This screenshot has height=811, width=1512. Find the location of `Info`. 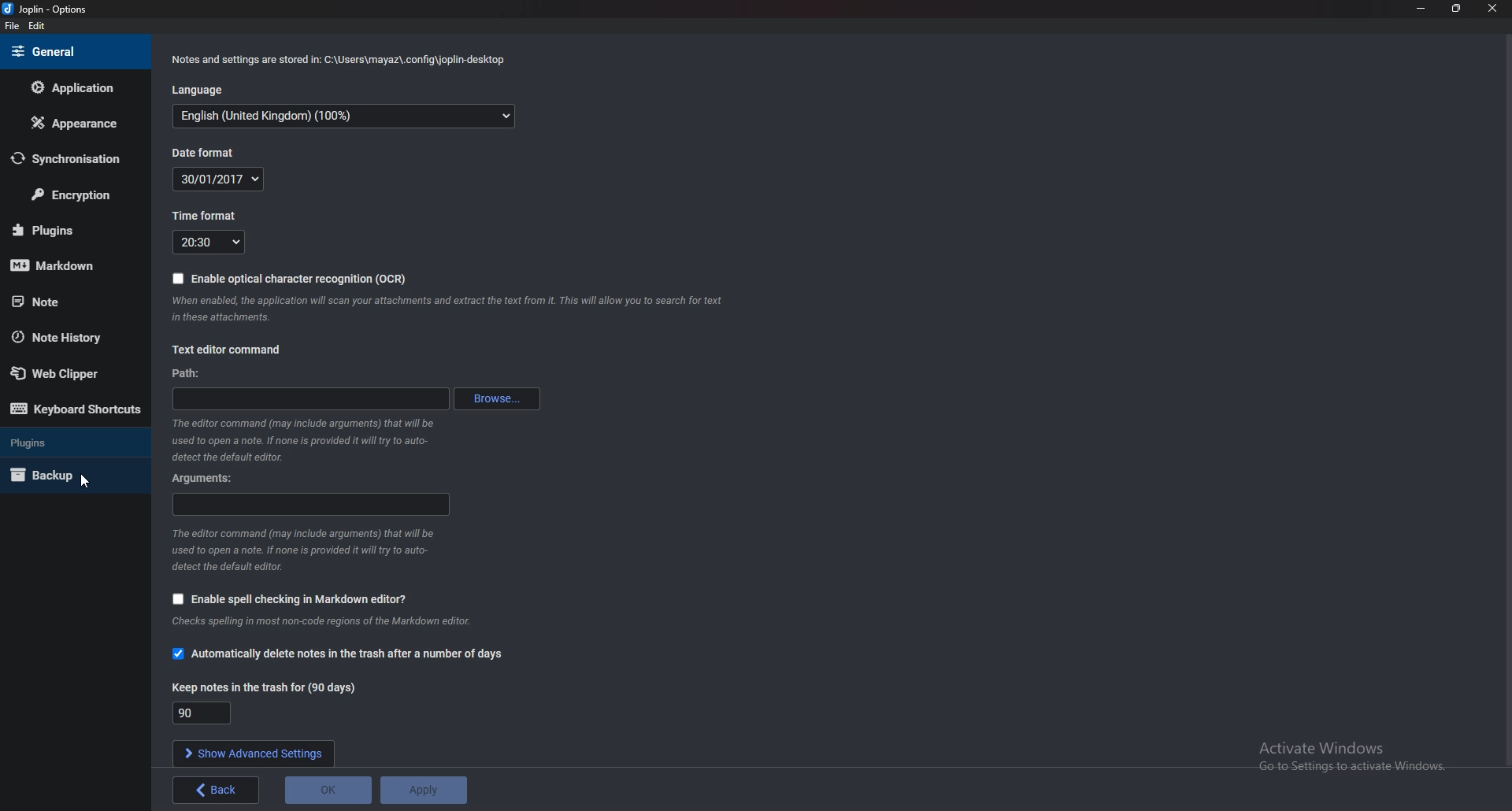

Info is located at coordinates (307, 549).